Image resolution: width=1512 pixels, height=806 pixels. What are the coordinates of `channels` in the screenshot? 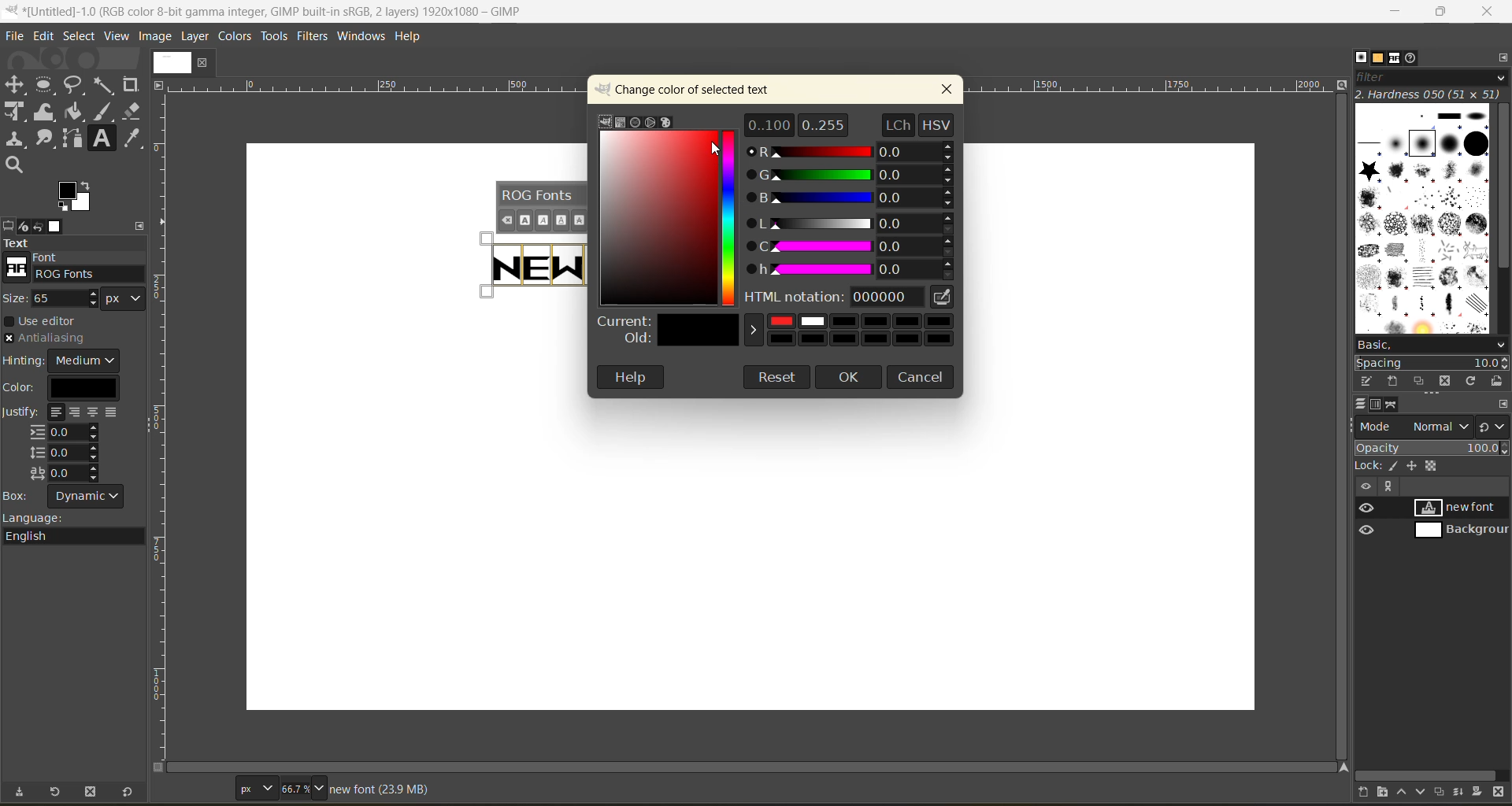 It's located at (1378, 406).